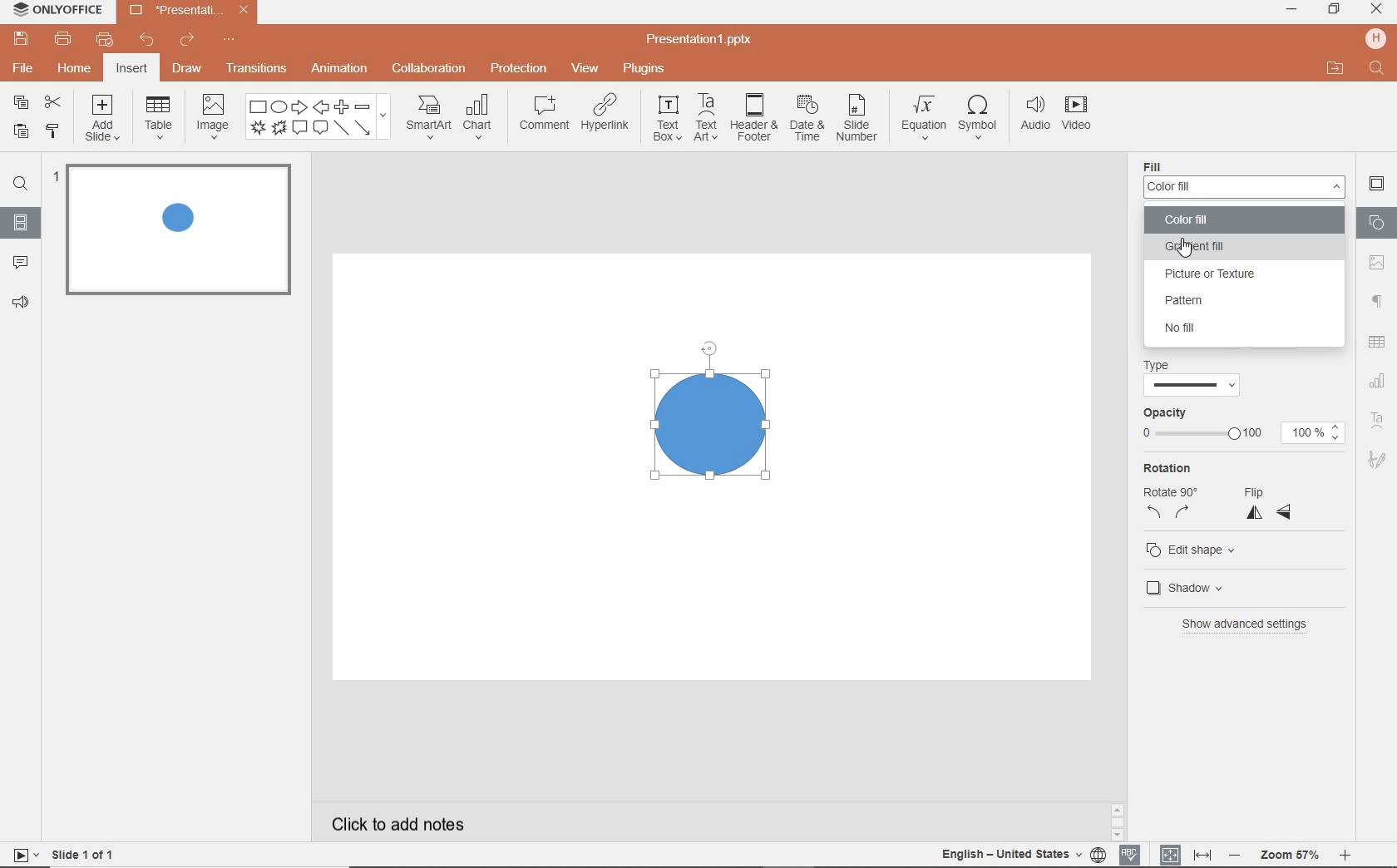  Describe the element at coordinates (1337, 70) in the screenshot. I see `open file location` at that location.